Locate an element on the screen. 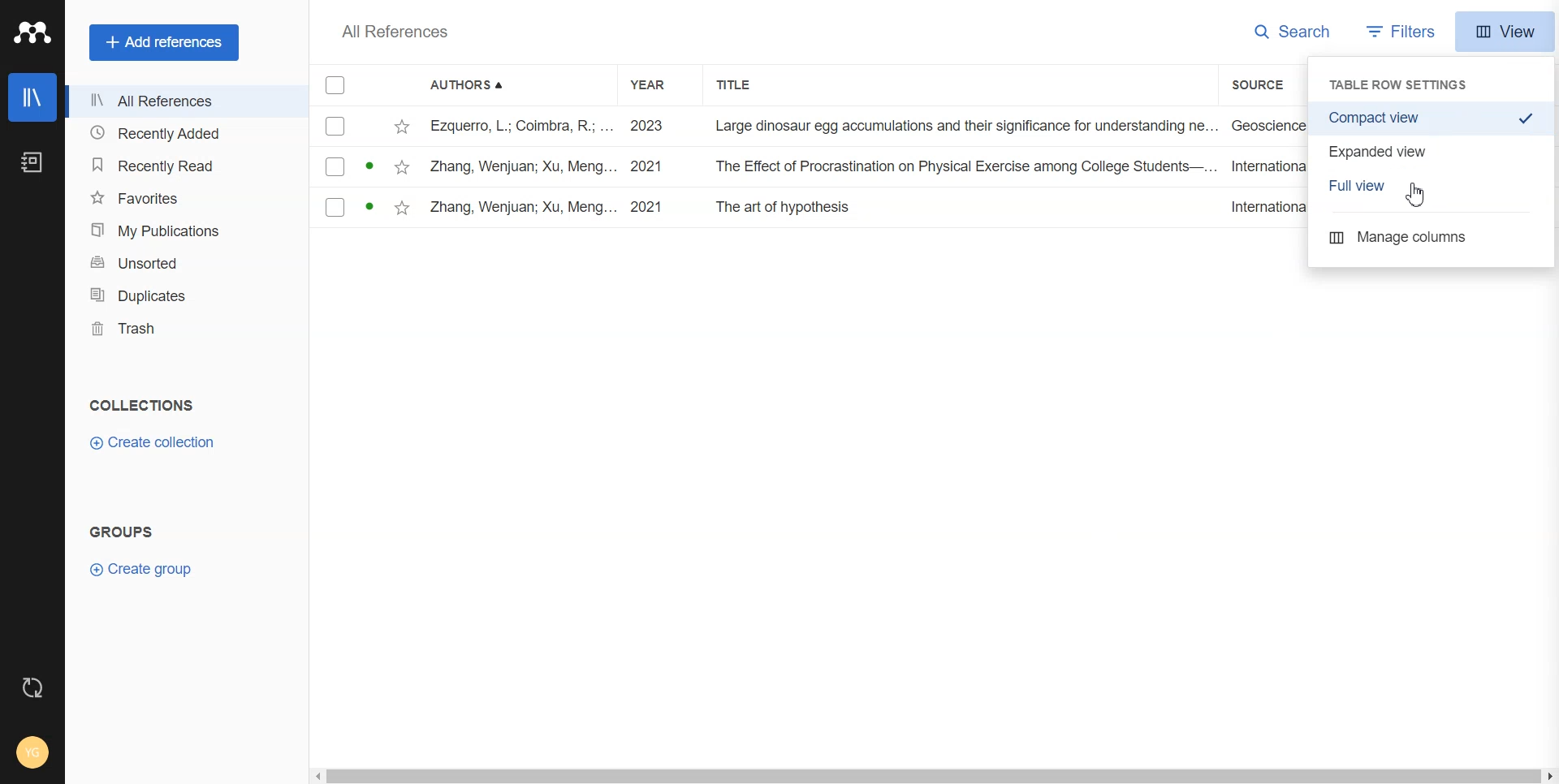 The width and height of the screenshot is (1559, 784). File is located at coordinates (810, 207).